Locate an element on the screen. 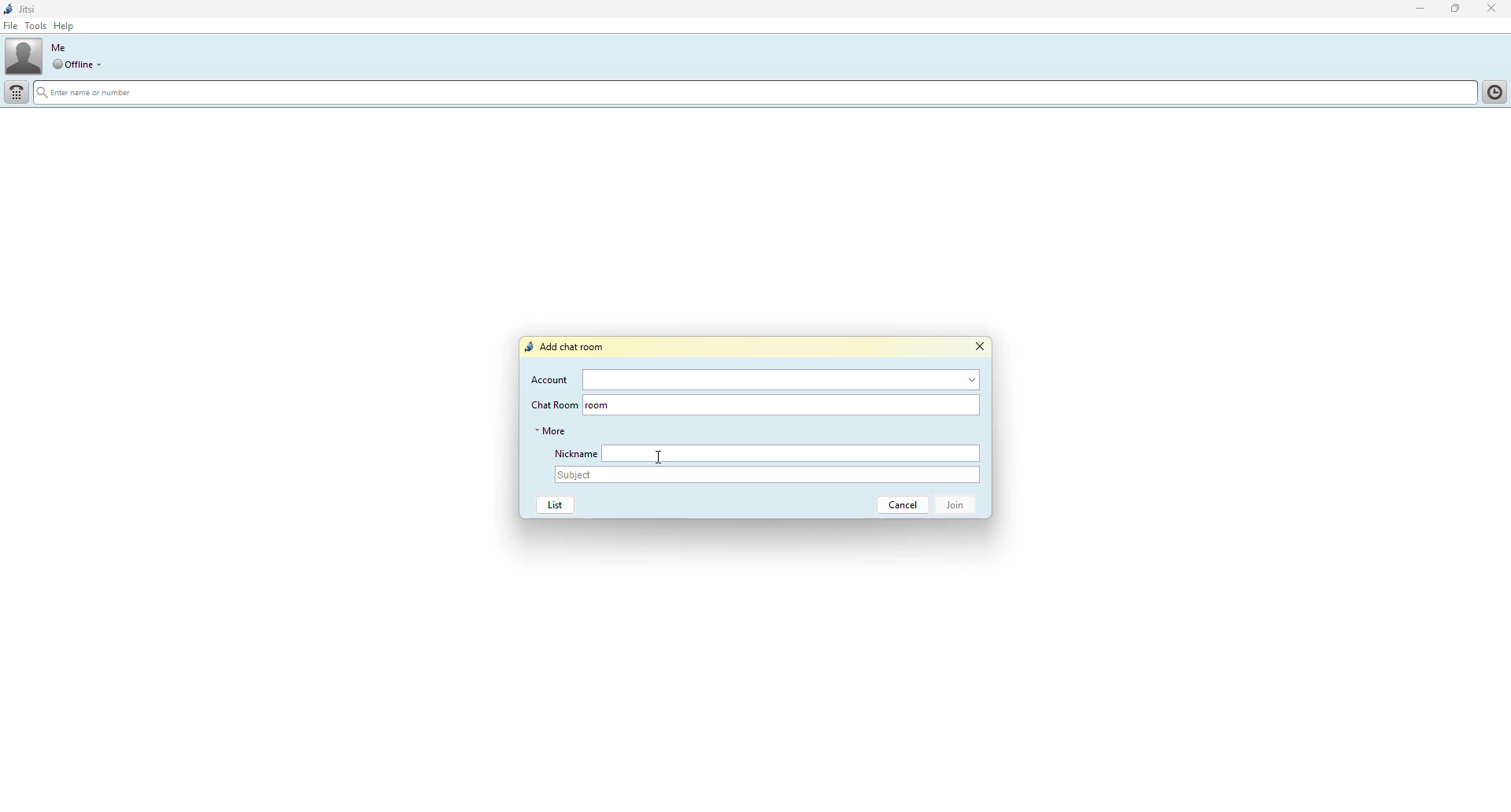 The height and width of the screenshot is (812, 1511). list is located at coordinates (555, 505).